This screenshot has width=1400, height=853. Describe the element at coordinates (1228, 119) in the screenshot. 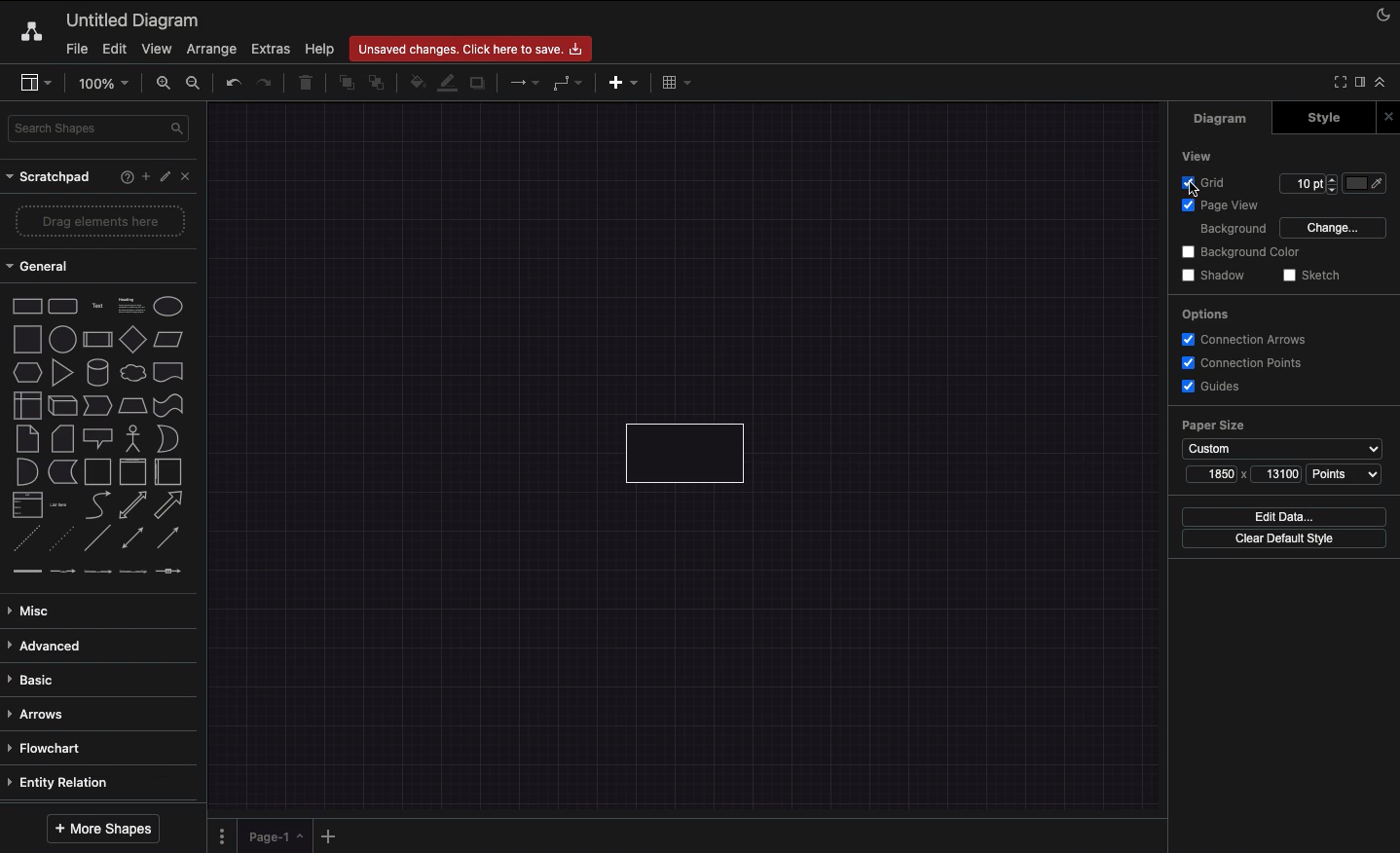

I see `Diagram` at that location.